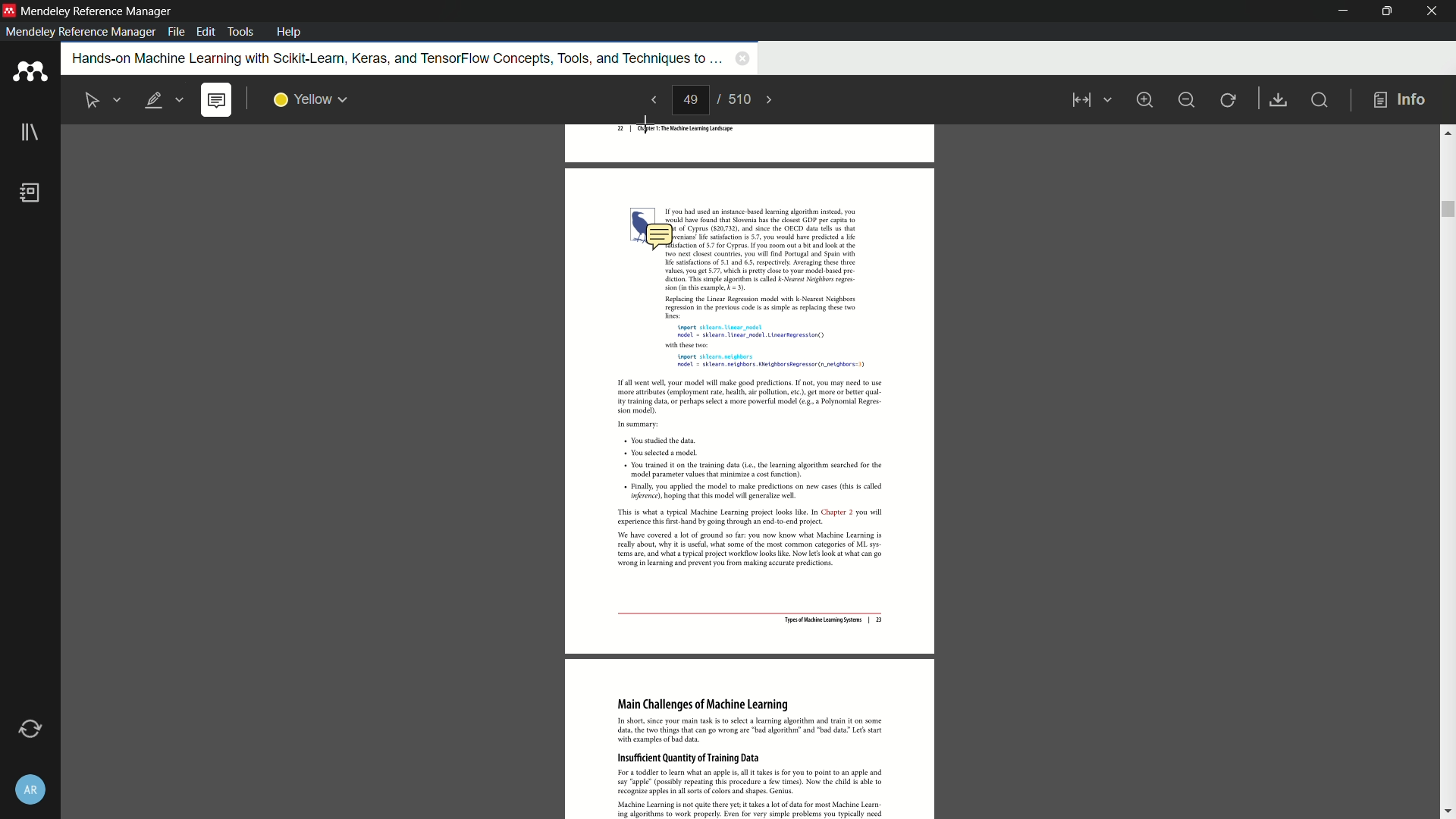 This screenshot has height=819, width=1456. Describe the element at coordinates (33, 194) in the screenshot. I see `book` at that location.